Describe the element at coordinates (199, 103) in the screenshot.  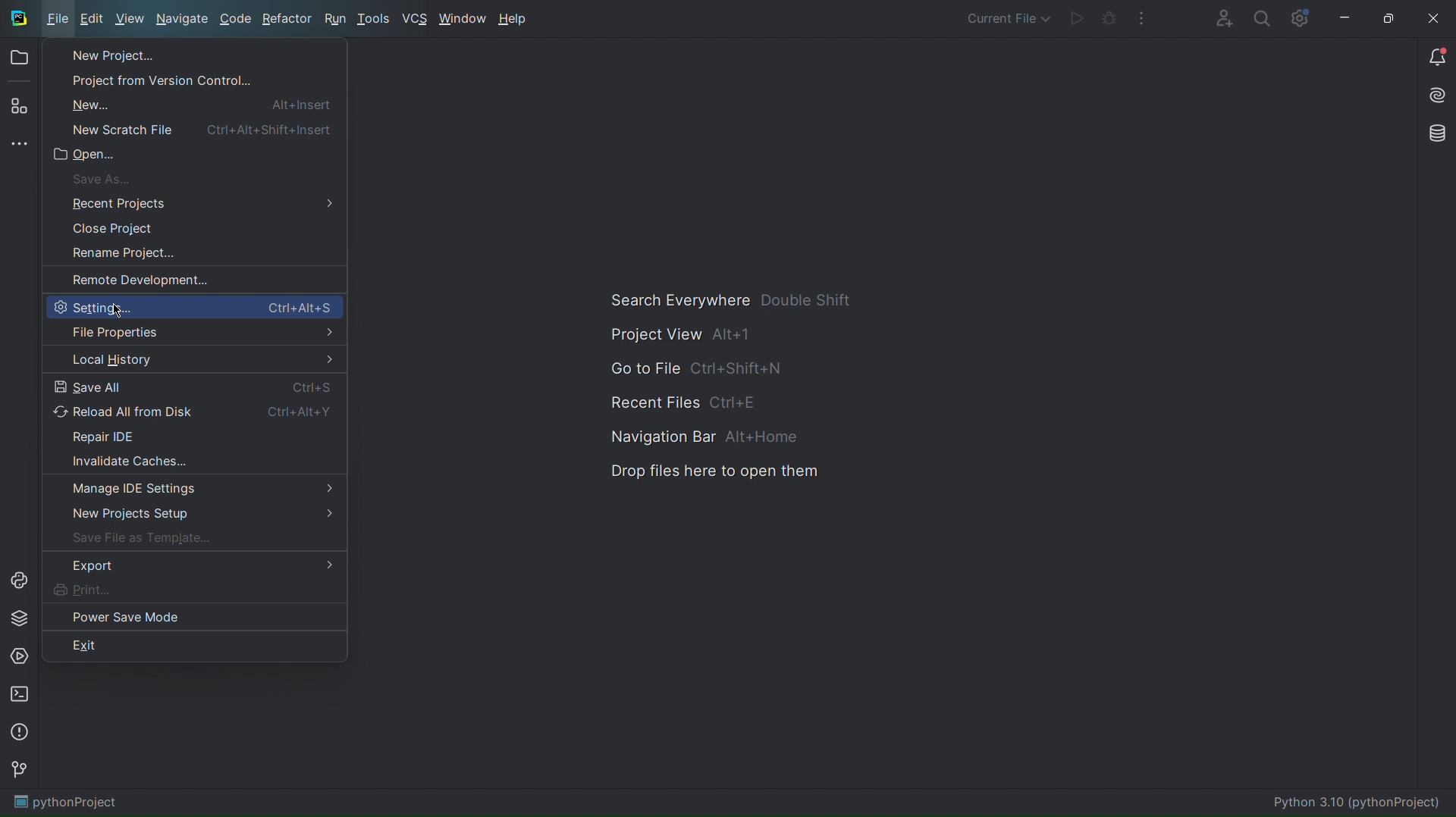
I see `New` at that location.